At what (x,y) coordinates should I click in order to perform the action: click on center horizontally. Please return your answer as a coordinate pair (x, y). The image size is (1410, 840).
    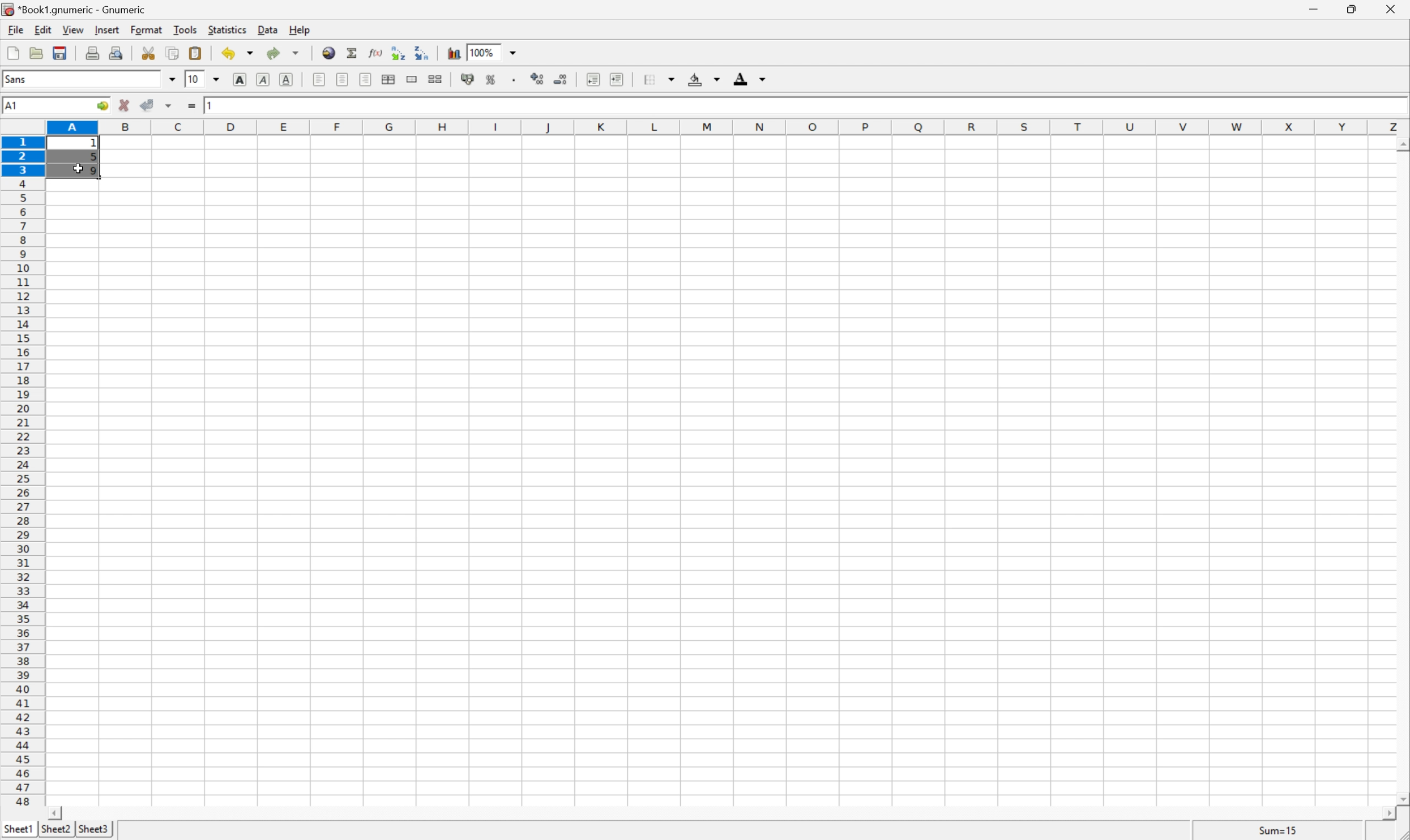
    Looking at the image, I should click on (390, 78).